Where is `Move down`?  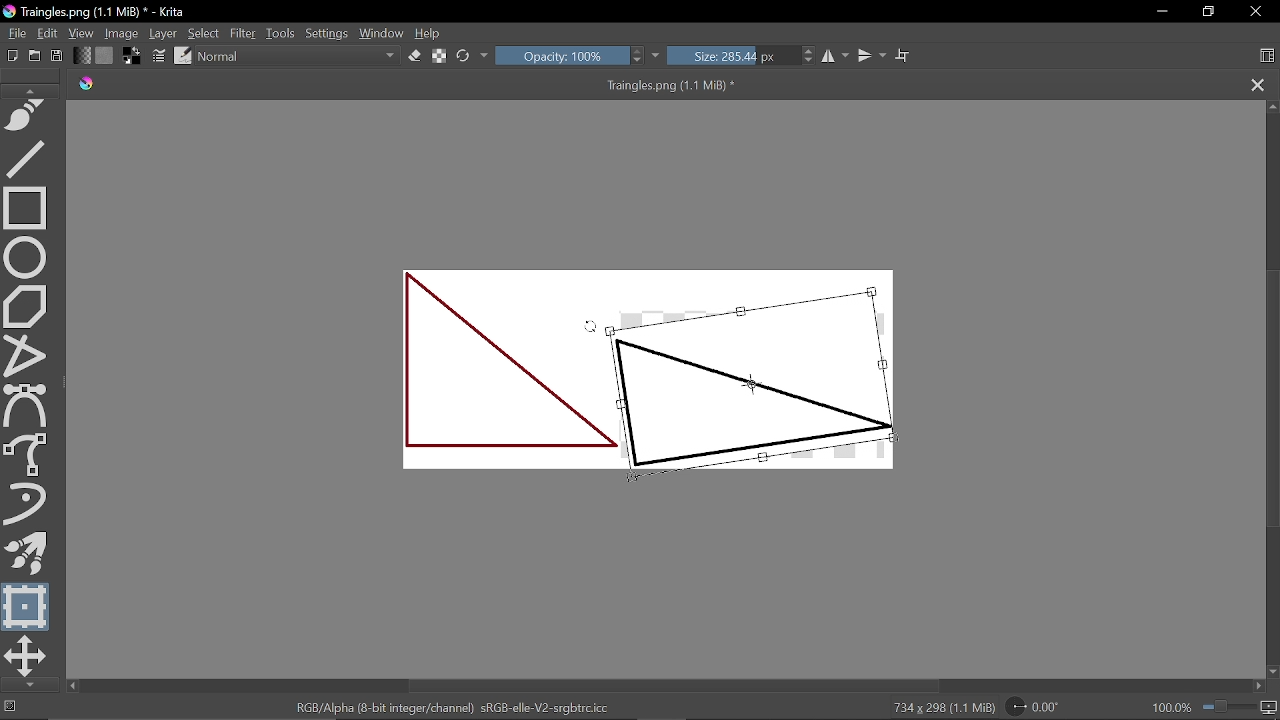
Move down is located at coordinates (1272, 672).